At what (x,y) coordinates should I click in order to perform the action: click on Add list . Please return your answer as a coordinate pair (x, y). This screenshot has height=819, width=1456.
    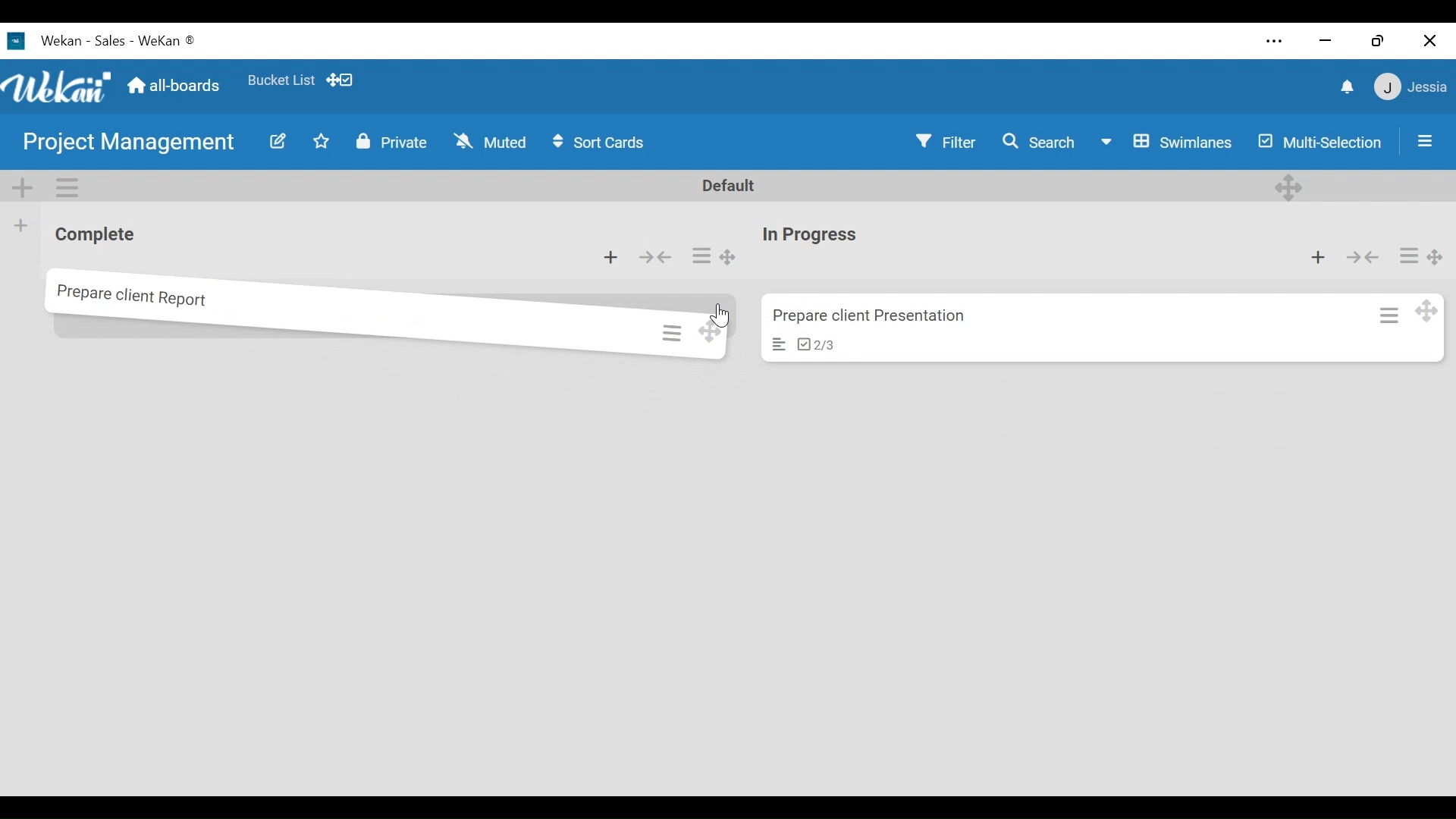
    Looking at the image, I should click on (20, 225).